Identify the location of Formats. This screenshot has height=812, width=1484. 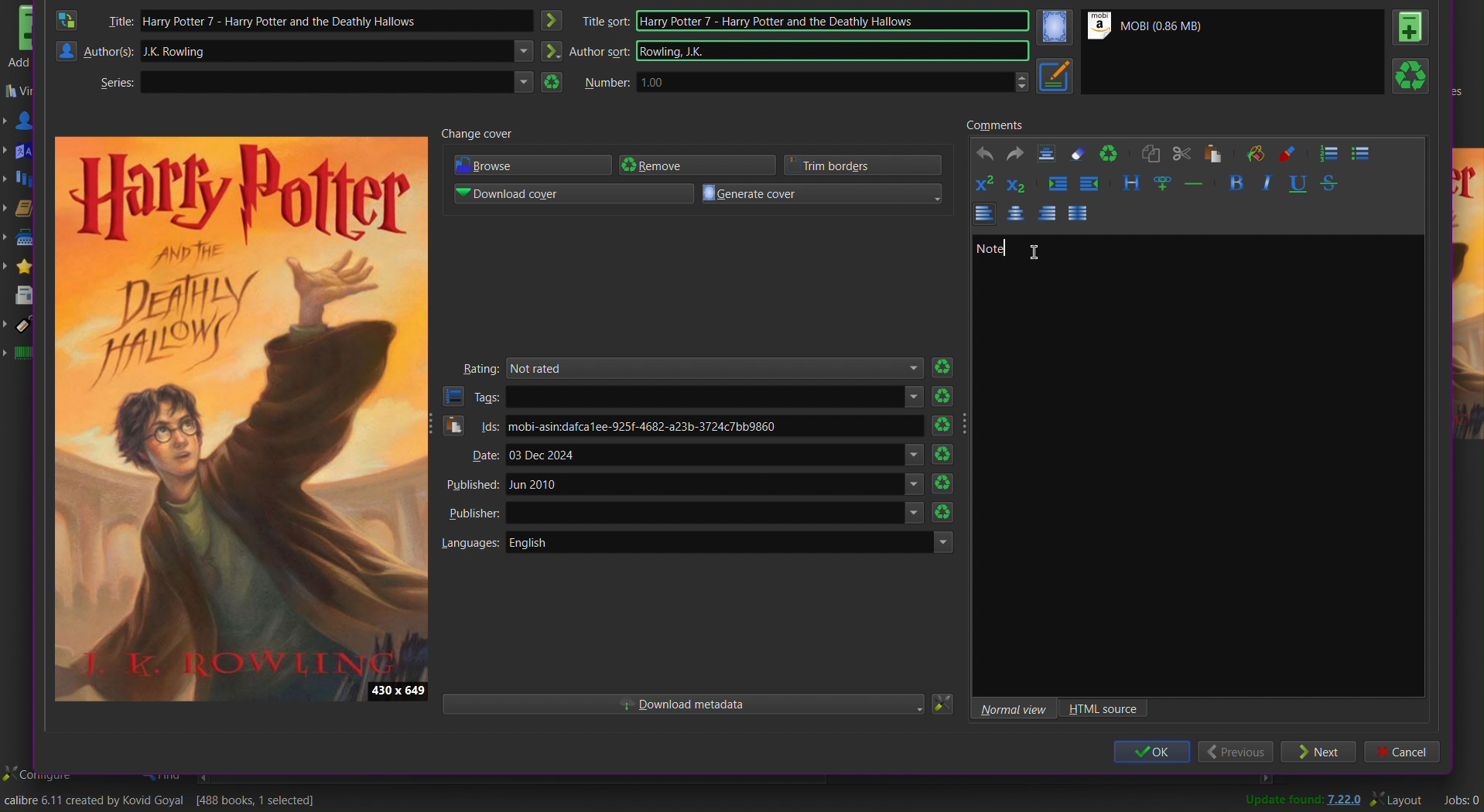
(26, 210).